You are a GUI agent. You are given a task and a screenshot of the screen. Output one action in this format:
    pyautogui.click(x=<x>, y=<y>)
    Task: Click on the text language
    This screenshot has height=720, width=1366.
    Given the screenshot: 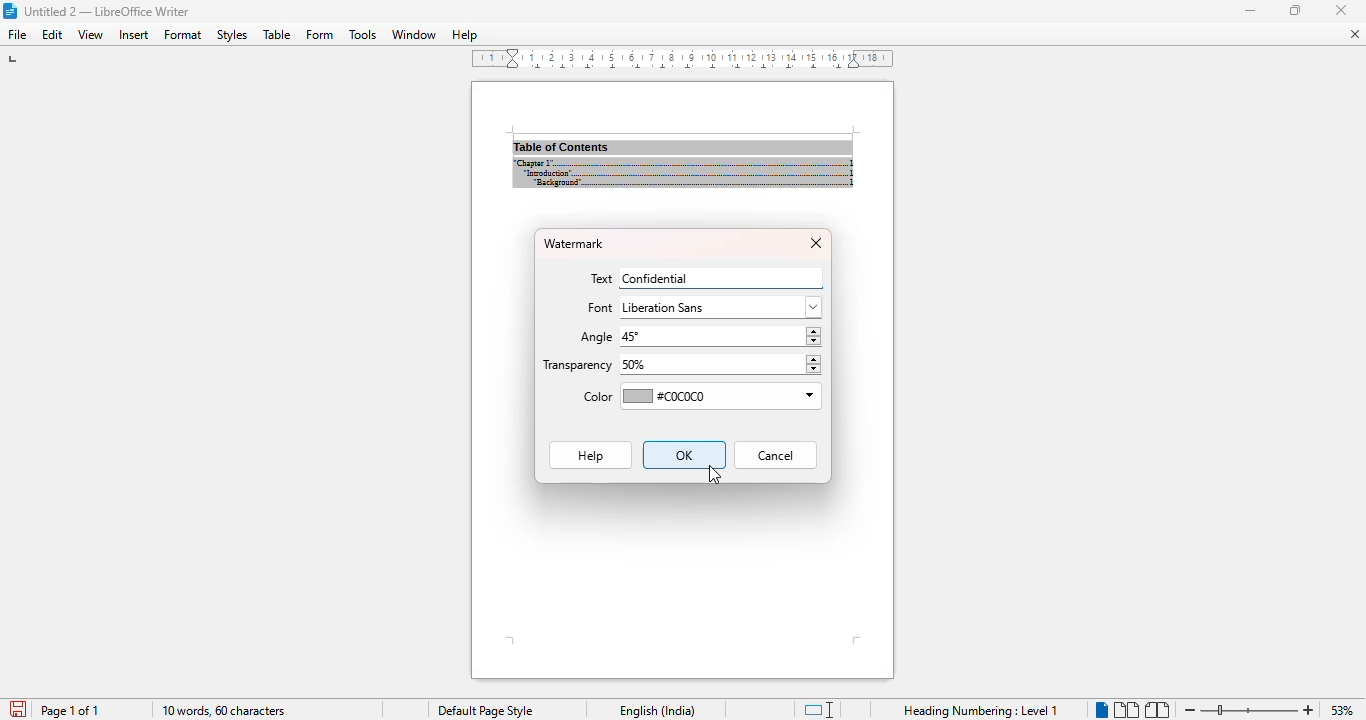 What is the action you would take?
    pyautogui.click(x=659, y=710)
    